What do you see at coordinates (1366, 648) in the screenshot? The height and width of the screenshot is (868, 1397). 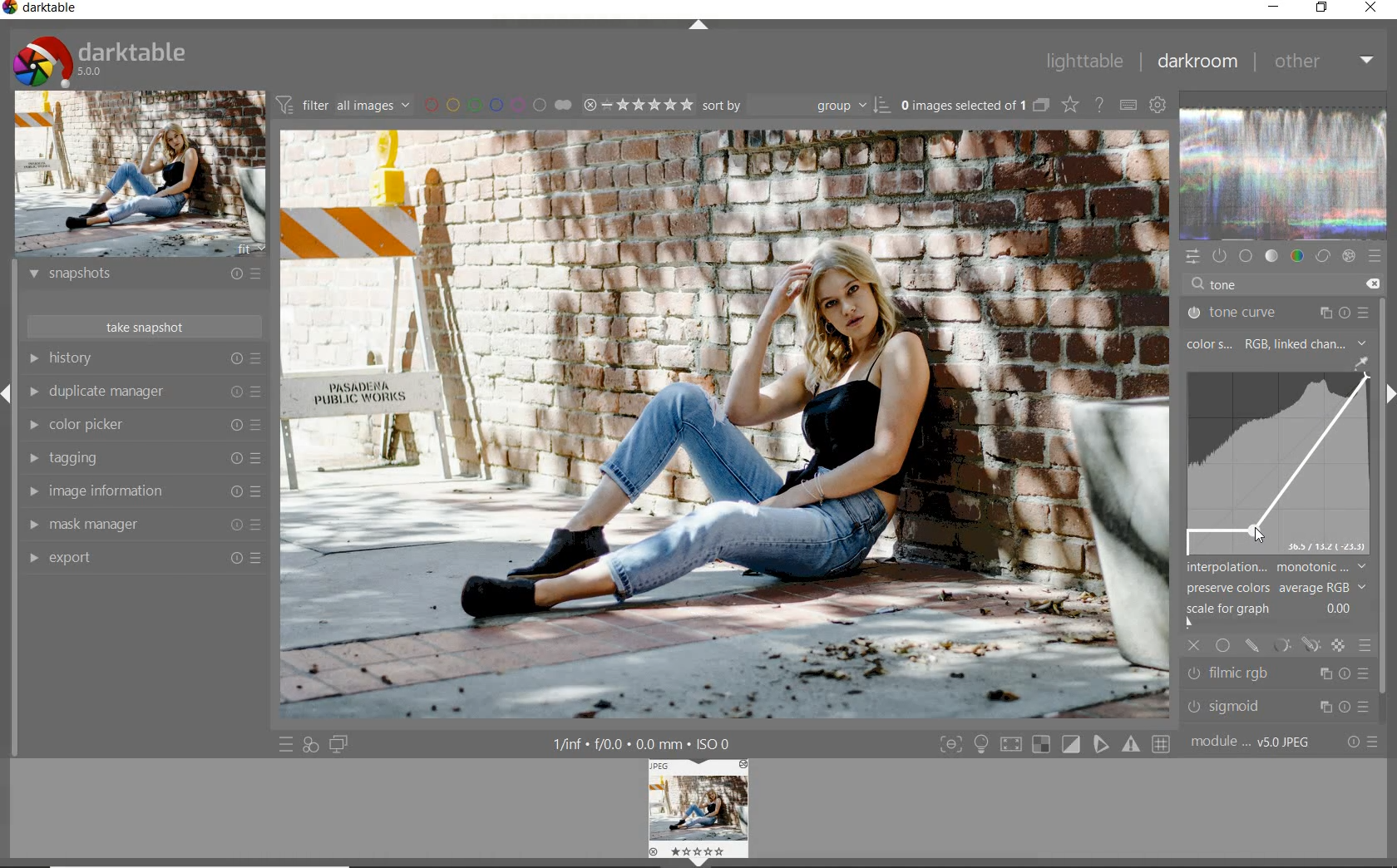 I see `blending options` at bounding box center [1366, 648].